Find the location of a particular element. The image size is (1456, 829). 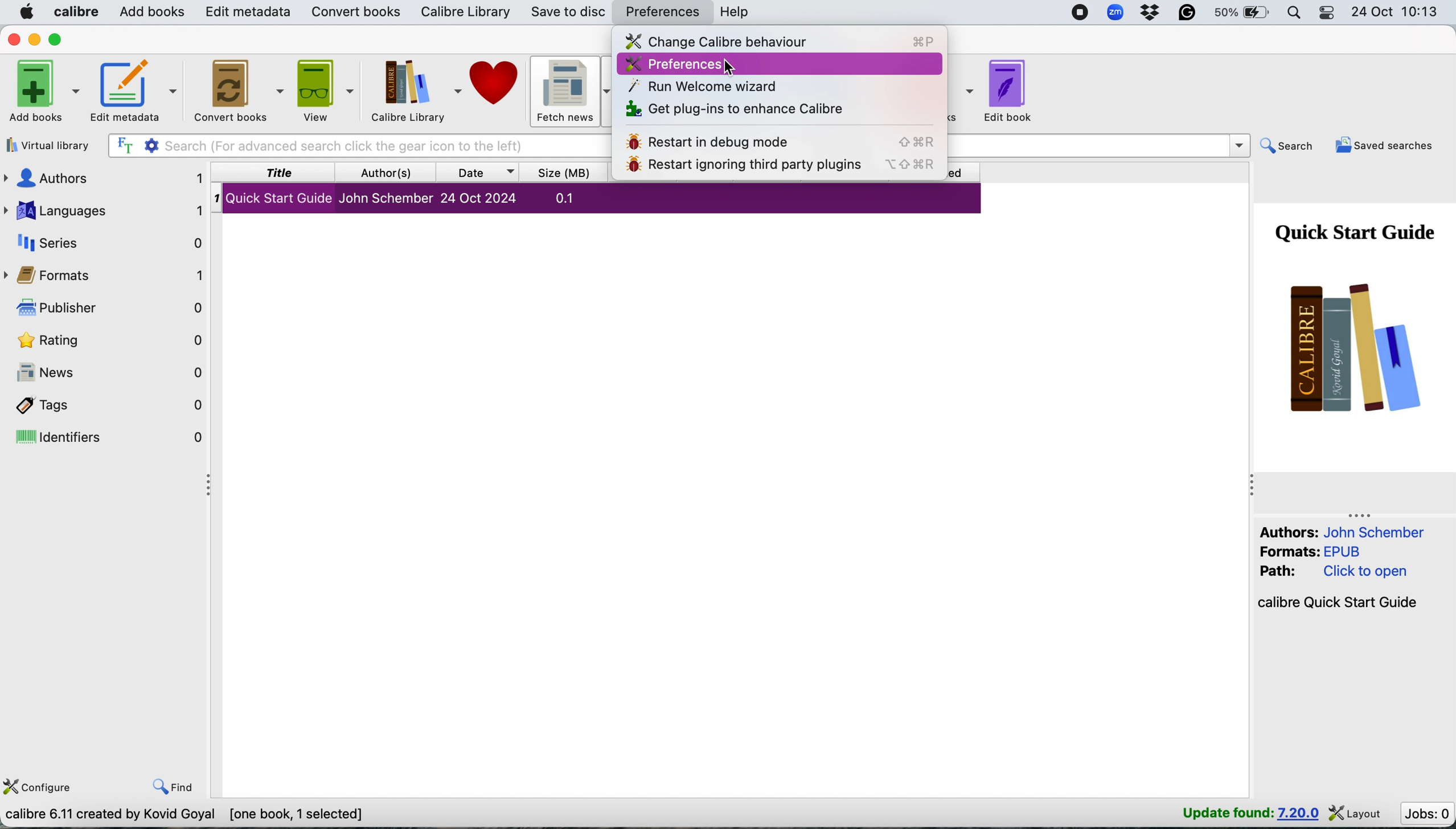

edit book is located at coordinates (1018, 93).